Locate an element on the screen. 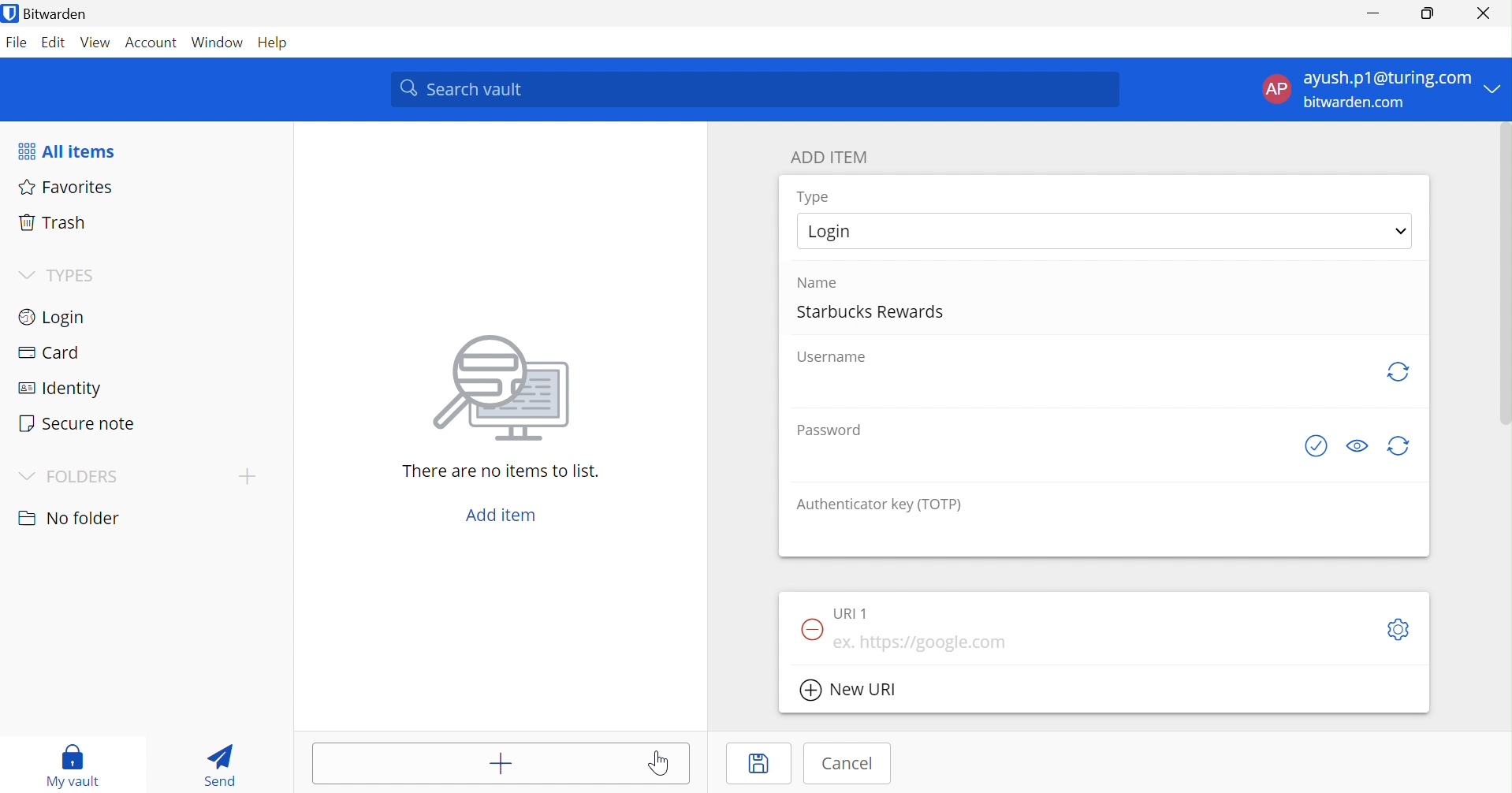 The image size is (1512, 793). No folder is located at coordinates (70, 520).